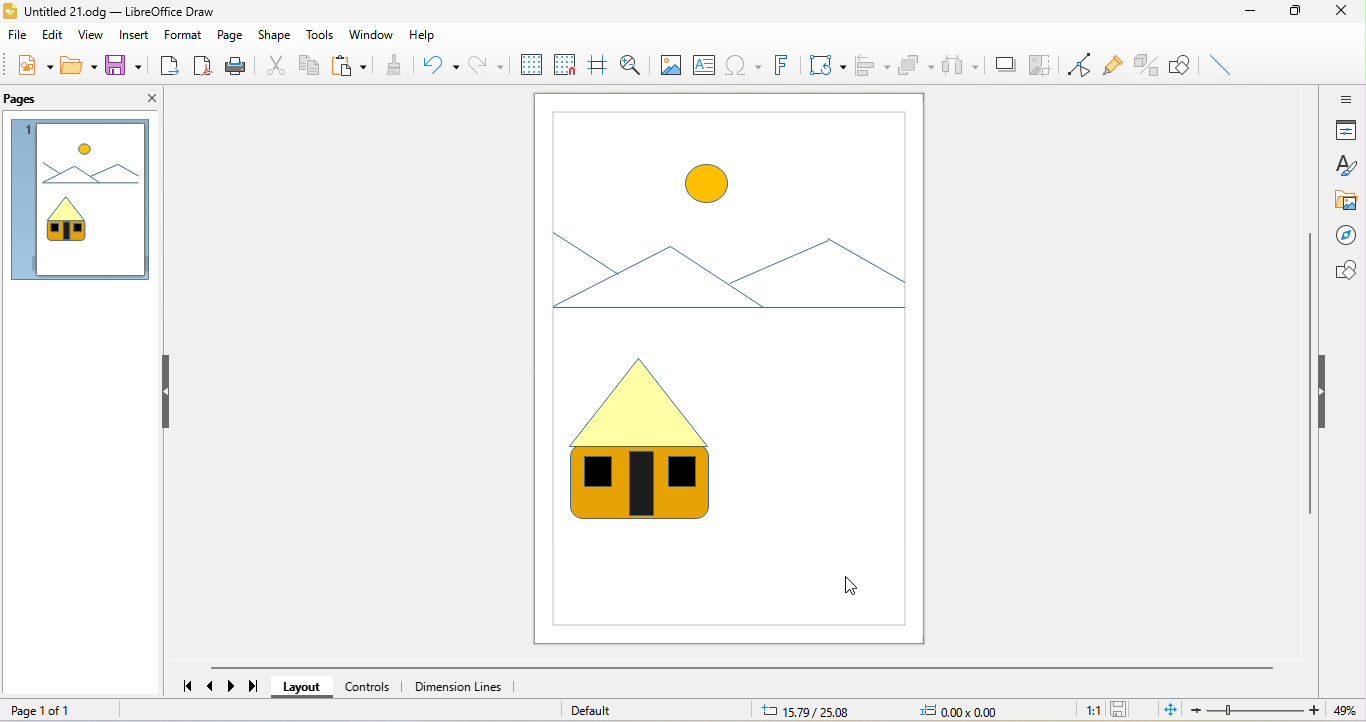 The image size is (1366, 722). What do you see at coordinates (184, 36) in the screenshot?
I see `format` at bounding box center [184, 36].